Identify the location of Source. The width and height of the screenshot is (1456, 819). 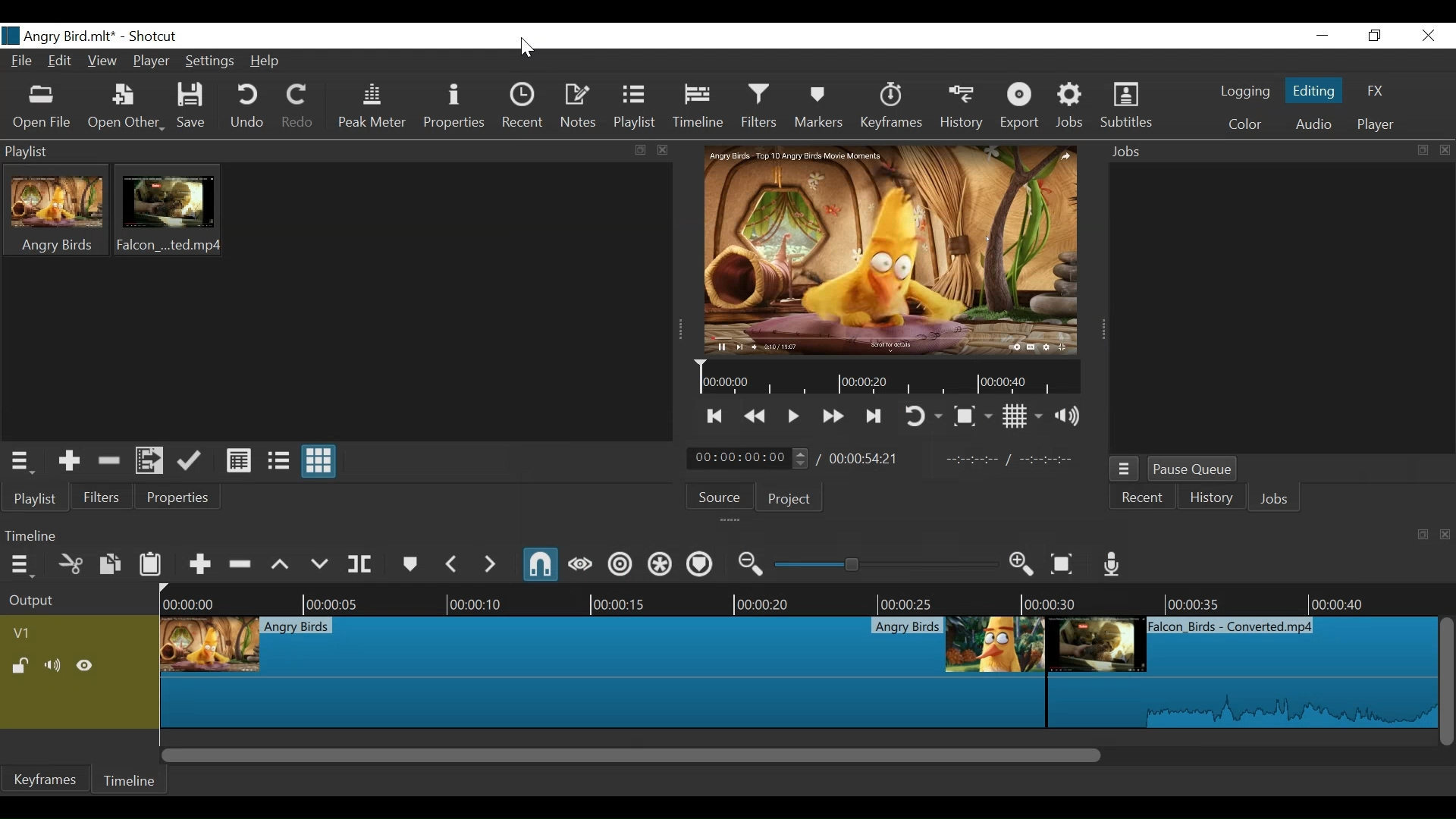
(720, 495).